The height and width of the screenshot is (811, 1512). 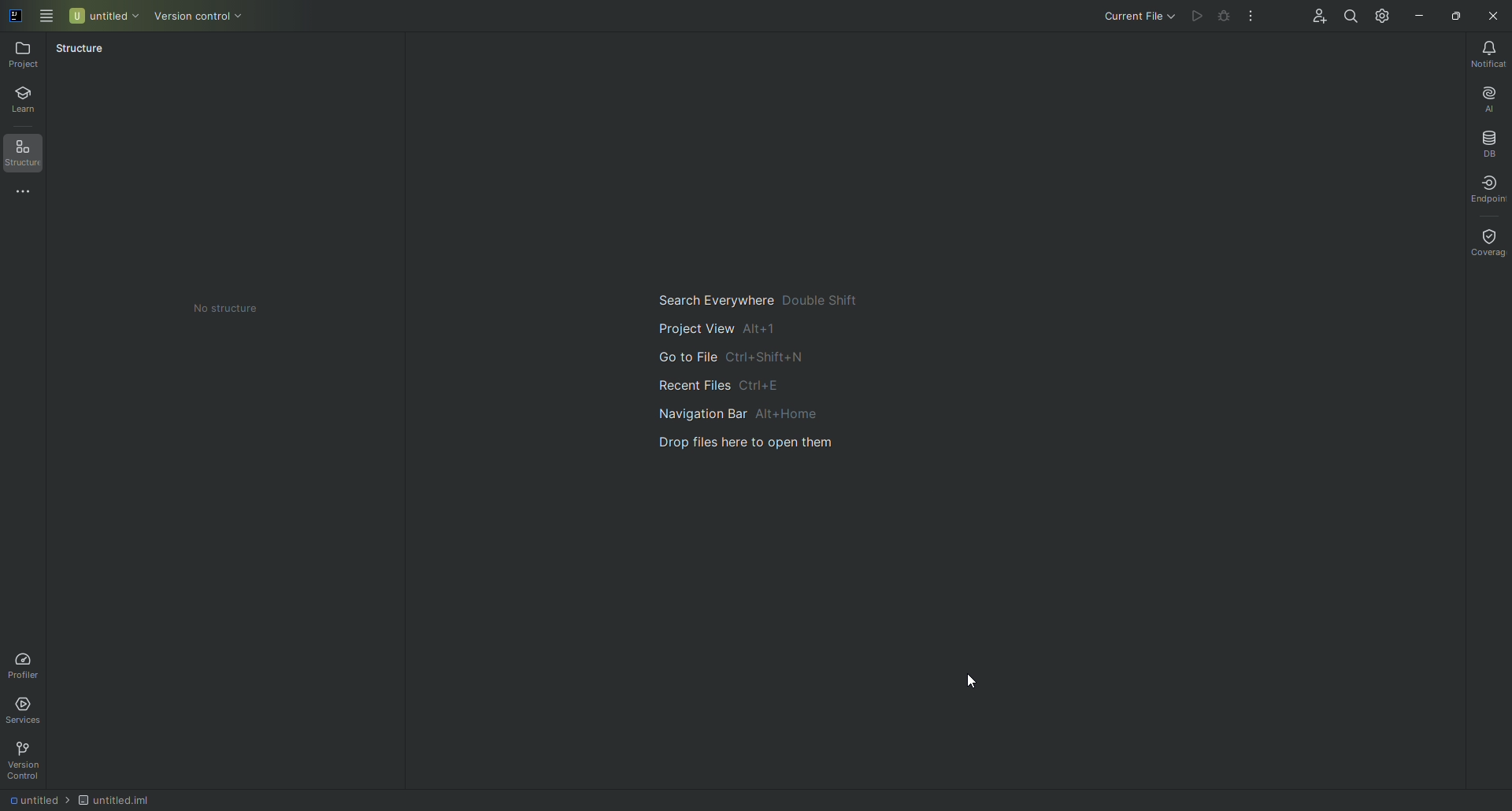 I want to click on Coverage, so click(x=1488, y=242).